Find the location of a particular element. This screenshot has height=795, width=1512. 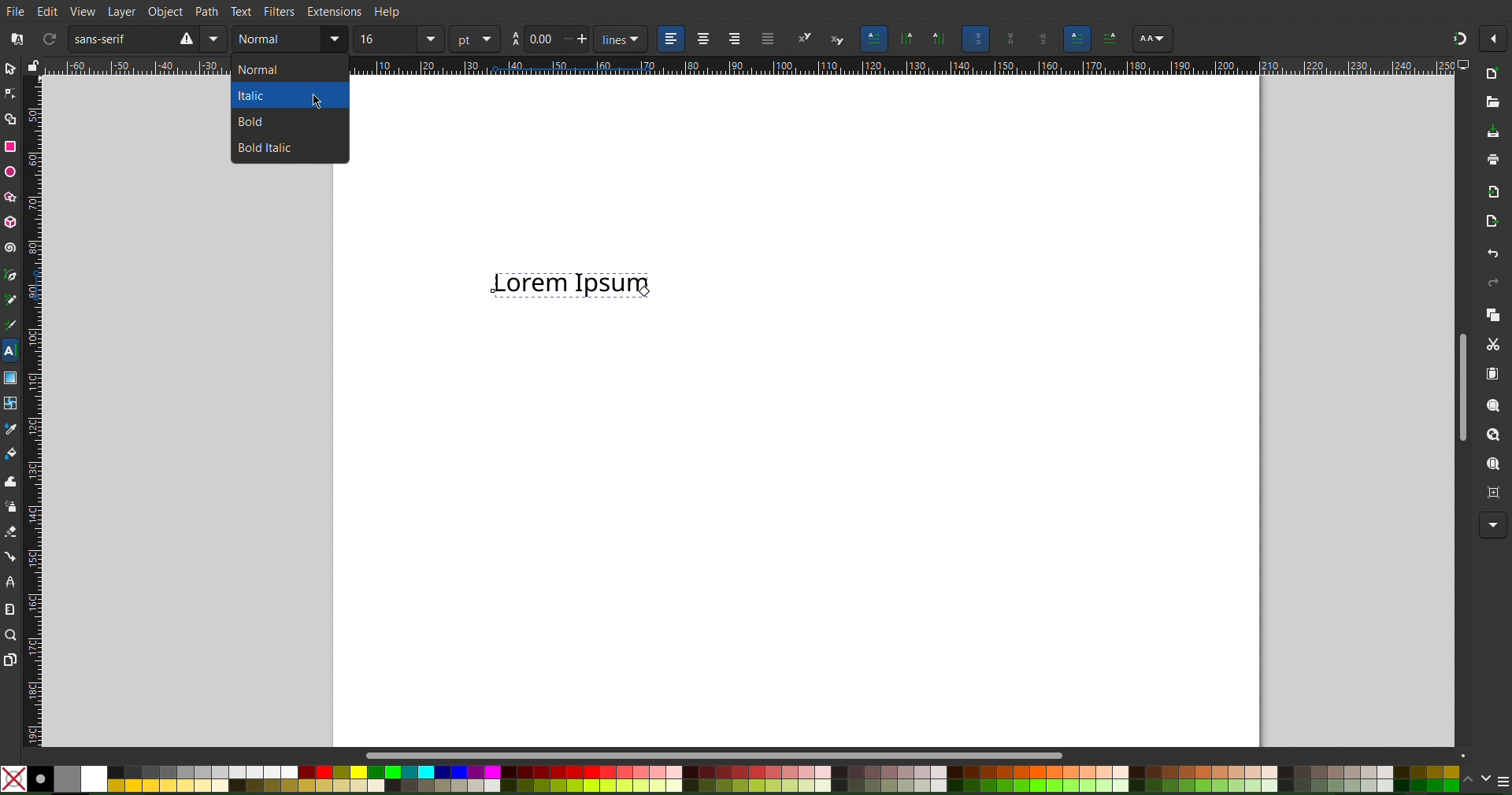

Italic is located at coordinates (276, 95).